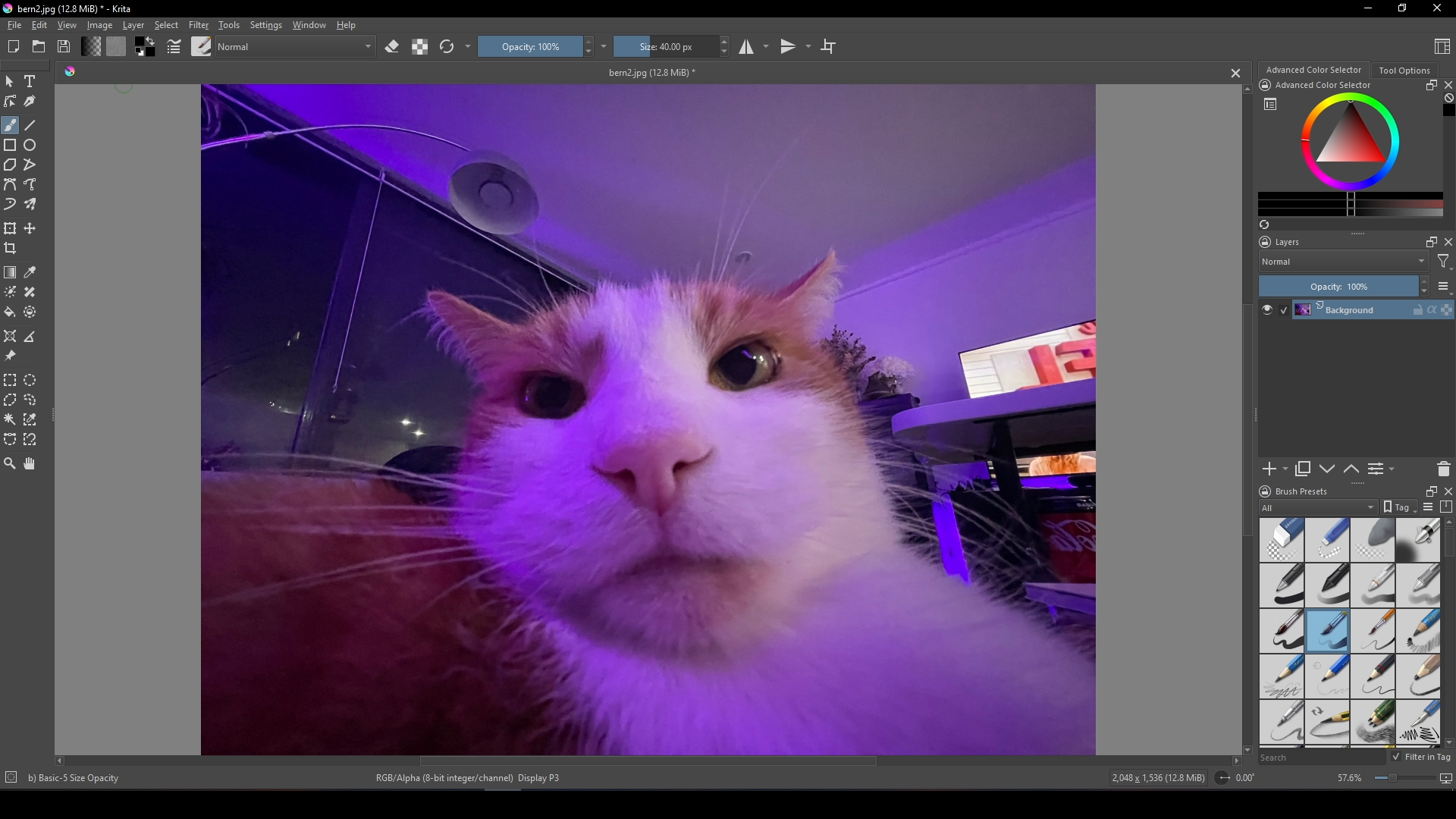 The height and width of the screenshot is (819, 1456). What do you see at coordinates (1431, 507) in the screenshot?
I see `Display settings` at bounding box center [1431, 507].